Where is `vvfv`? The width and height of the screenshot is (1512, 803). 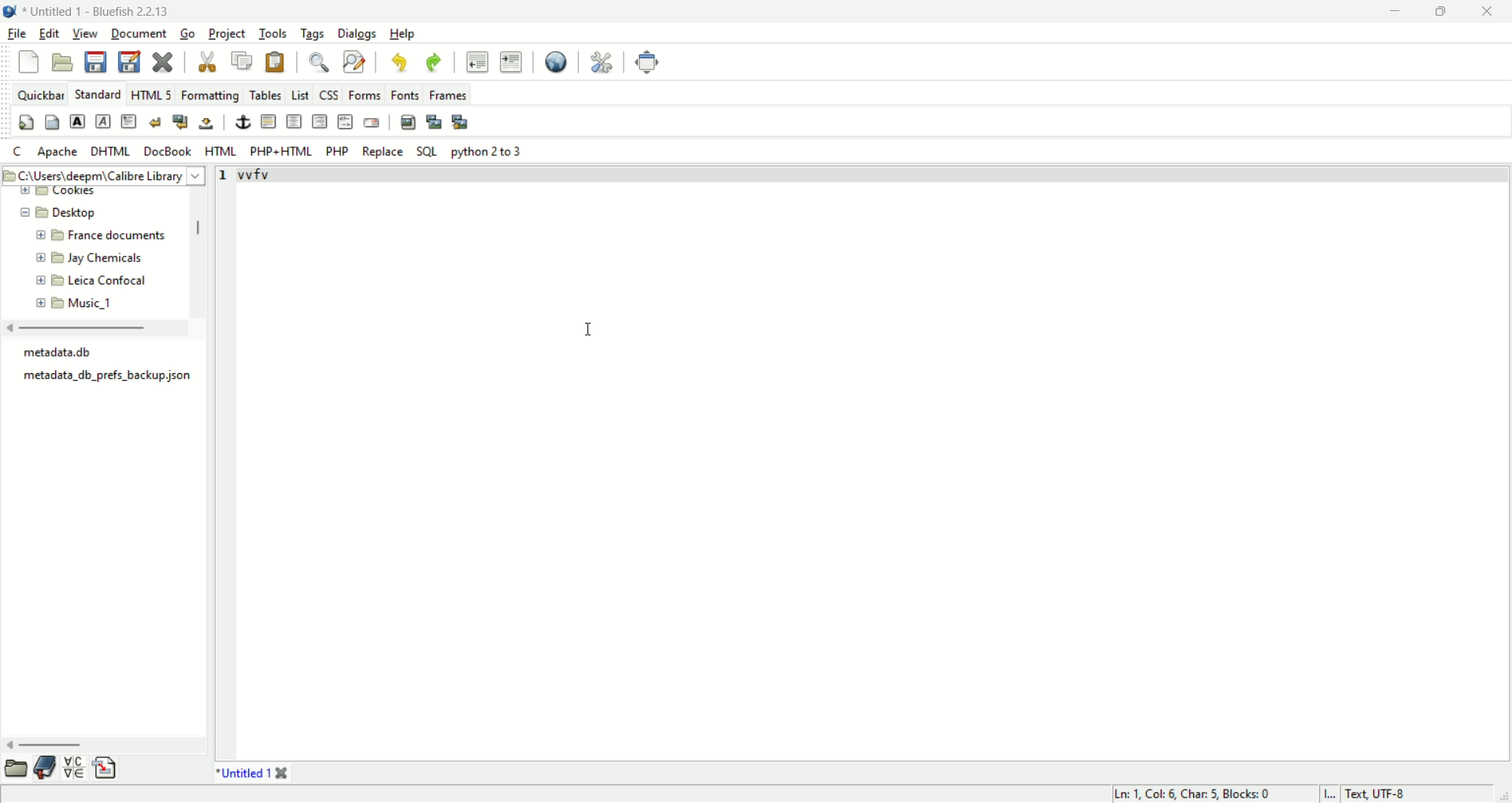
vvfv is located at coordinates (258, 175).